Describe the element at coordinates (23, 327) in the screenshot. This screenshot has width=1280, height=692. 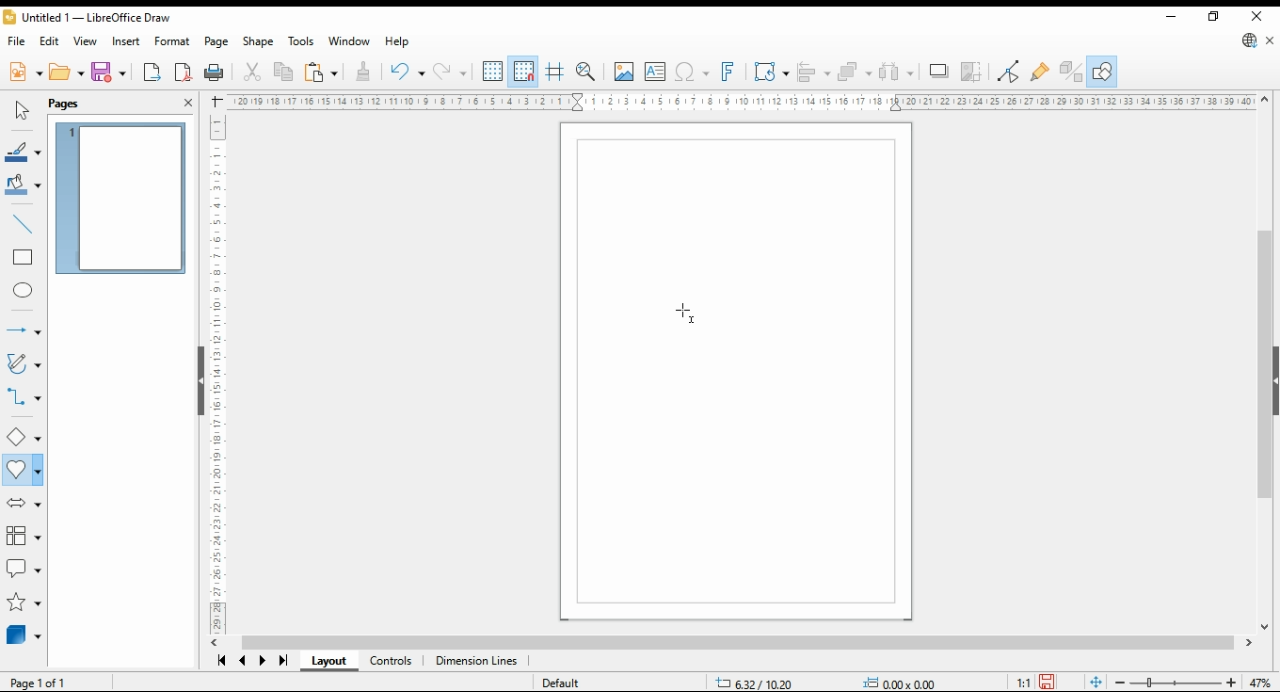
I see `lines and arrows` at that location.